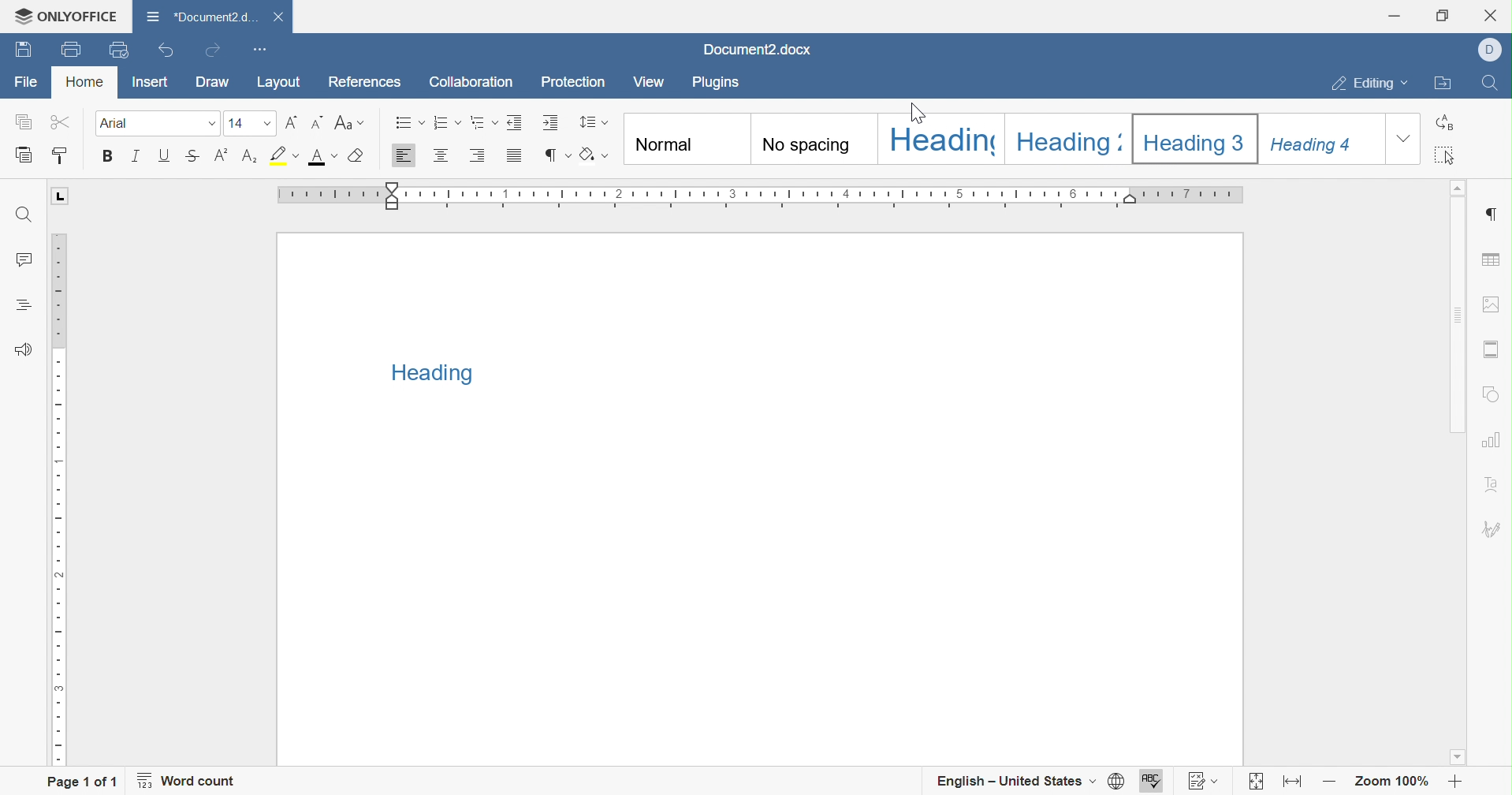 The height and width of the screenshot is (795, 1512). I want to click on Heading 3, so click(1197, 135).